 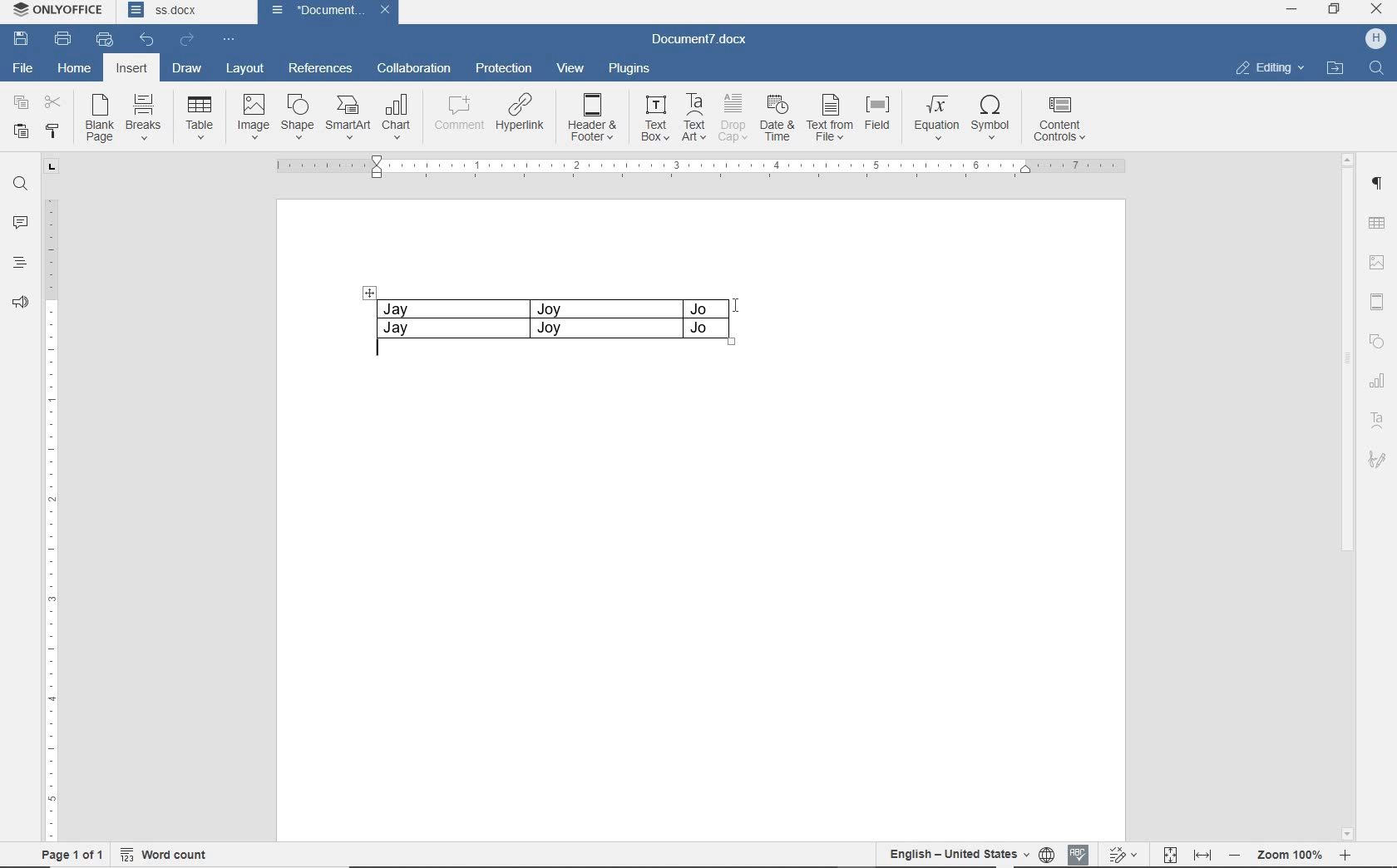 I want to click on SHAPE, so click(x=294, y=116).